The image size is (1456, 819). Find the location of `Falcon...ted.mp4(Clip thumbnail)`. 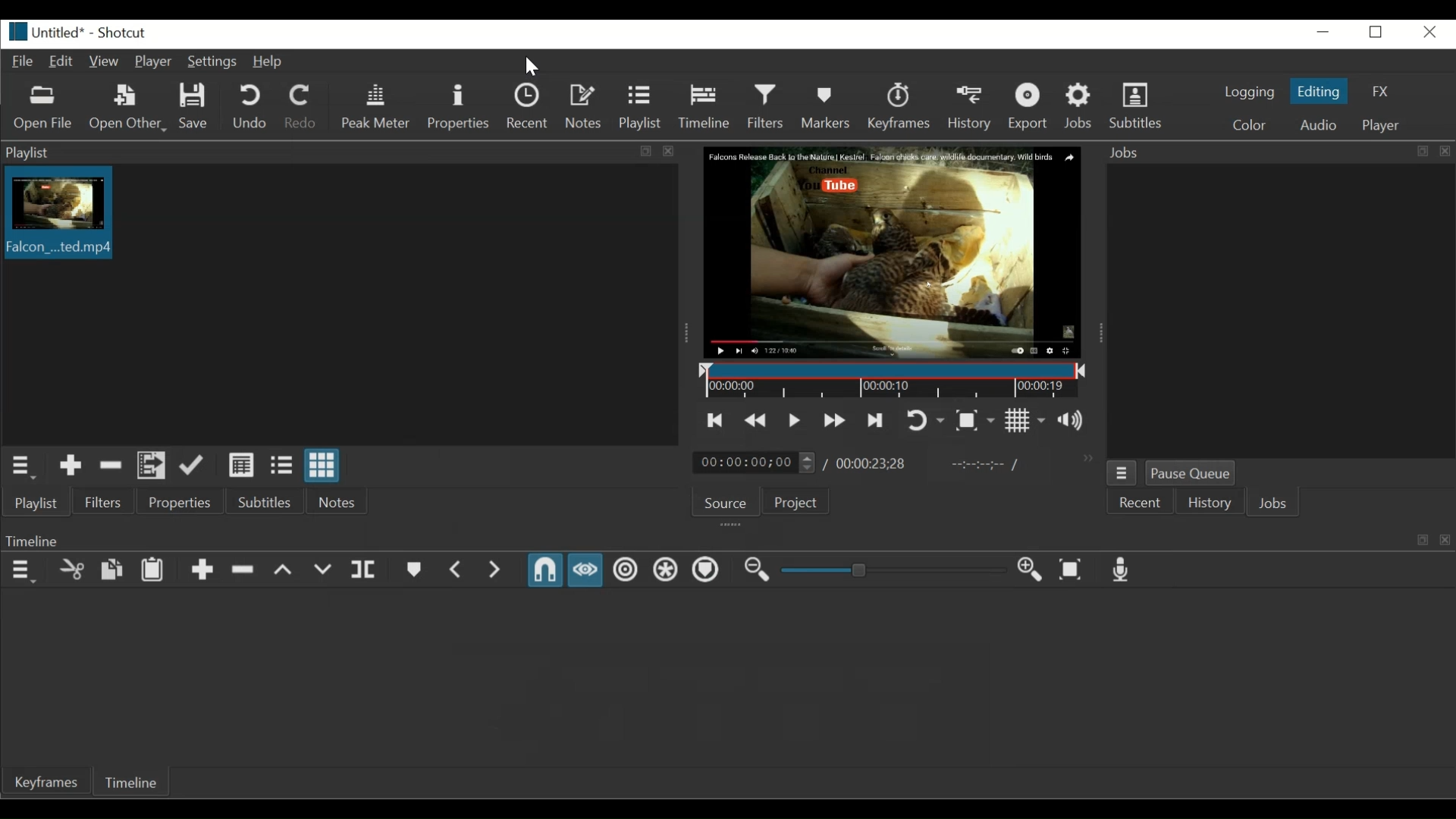

Falcon...ted.mp4(Clip thumbnail) is located at coordinates (58, 215).